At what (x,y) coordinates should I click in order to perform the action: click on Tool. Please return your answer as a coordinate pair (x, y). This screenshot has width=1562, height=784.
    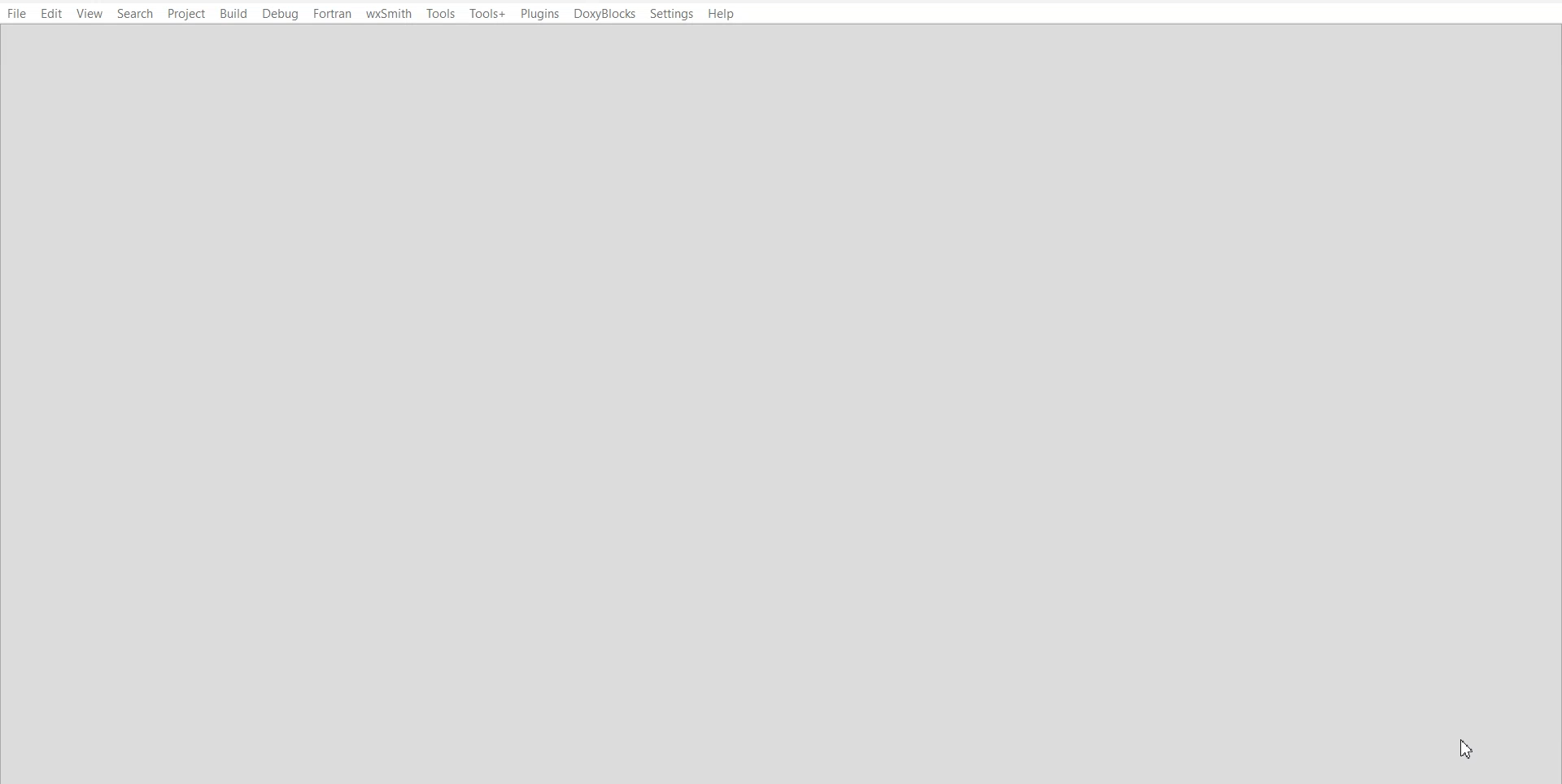
    Looking at the image, I should click on (441, 13).